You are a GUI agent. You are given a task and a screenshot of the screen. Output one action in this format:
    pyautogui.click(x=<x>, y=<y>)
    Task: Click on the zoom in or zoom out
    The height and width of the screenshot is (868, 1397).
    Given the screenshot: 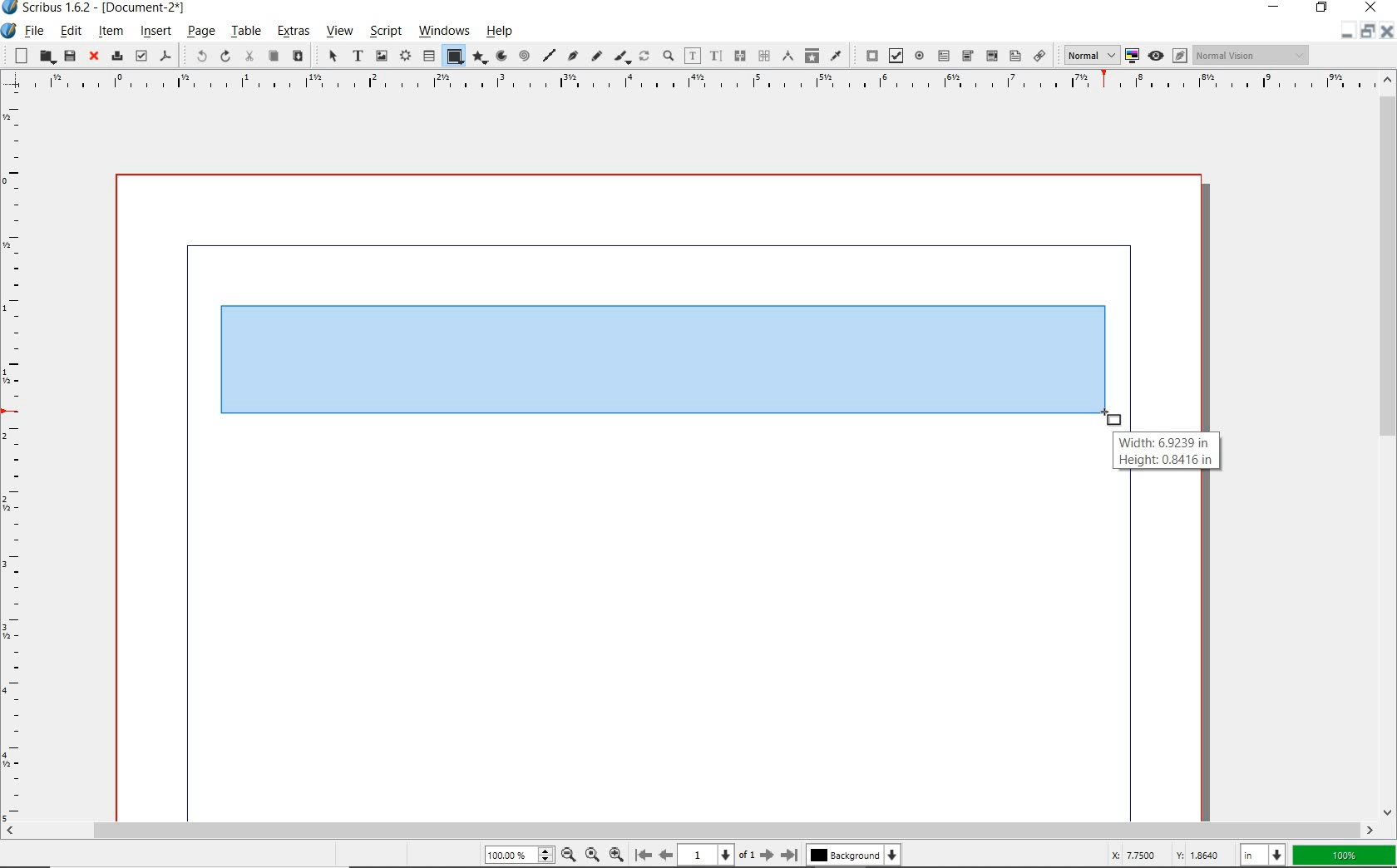 What is the action you would take?
    pyautogui.click(x=668, y=56)
    